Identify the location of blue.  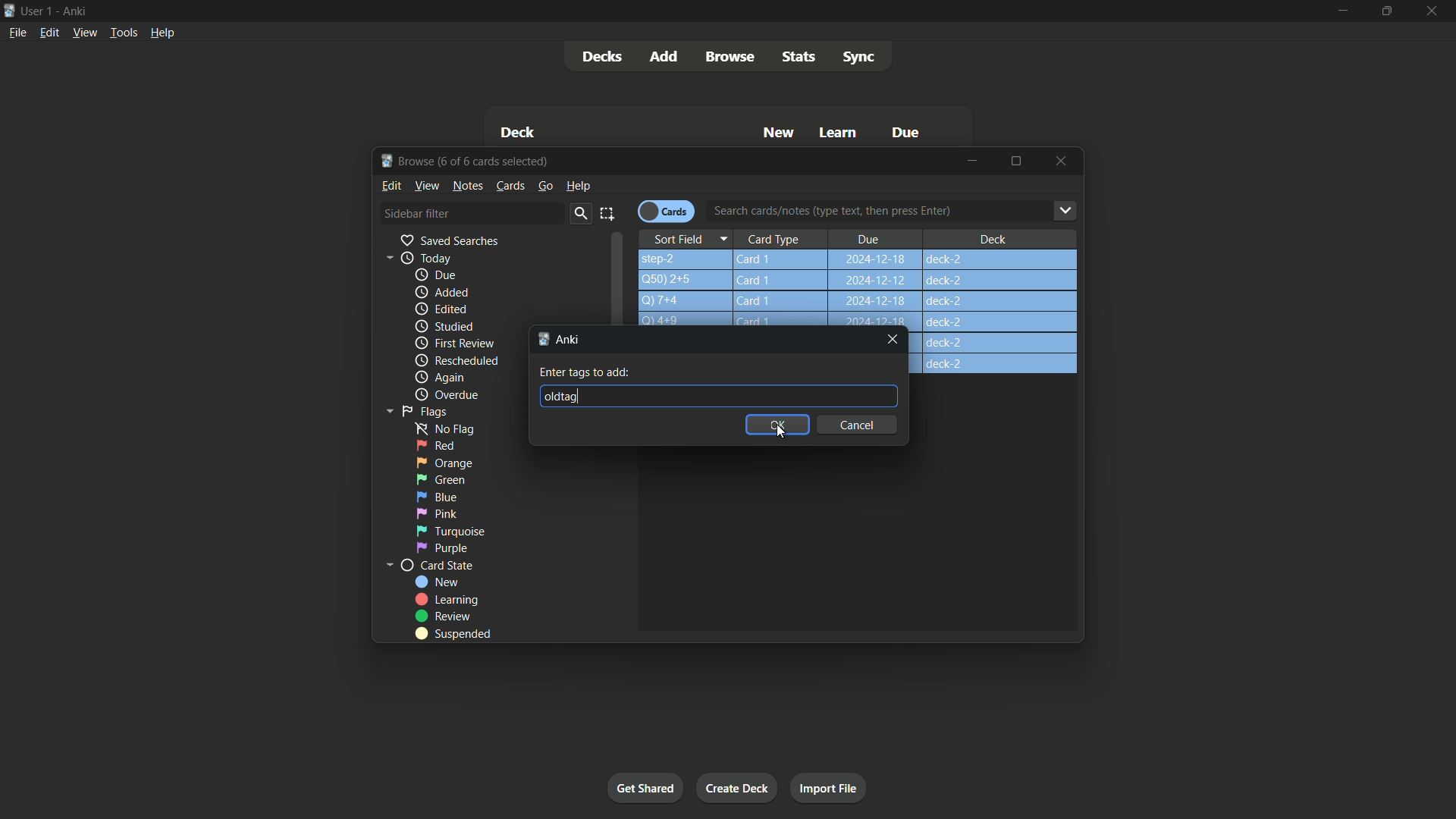
(436, 497).